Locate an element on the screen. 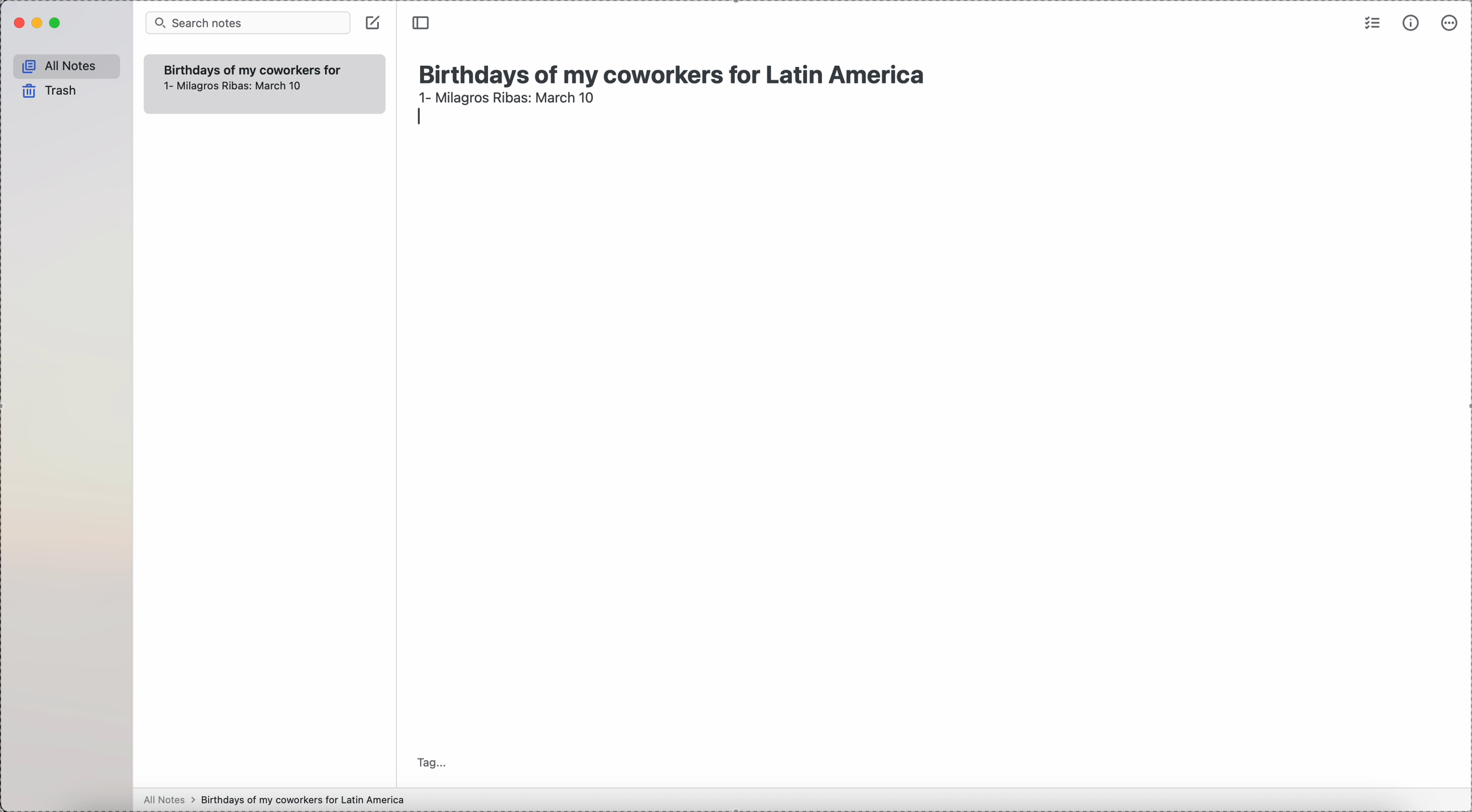 This screenshot has height=812, width=1472. maximize Simplenote is located at coordinates (56, 23).